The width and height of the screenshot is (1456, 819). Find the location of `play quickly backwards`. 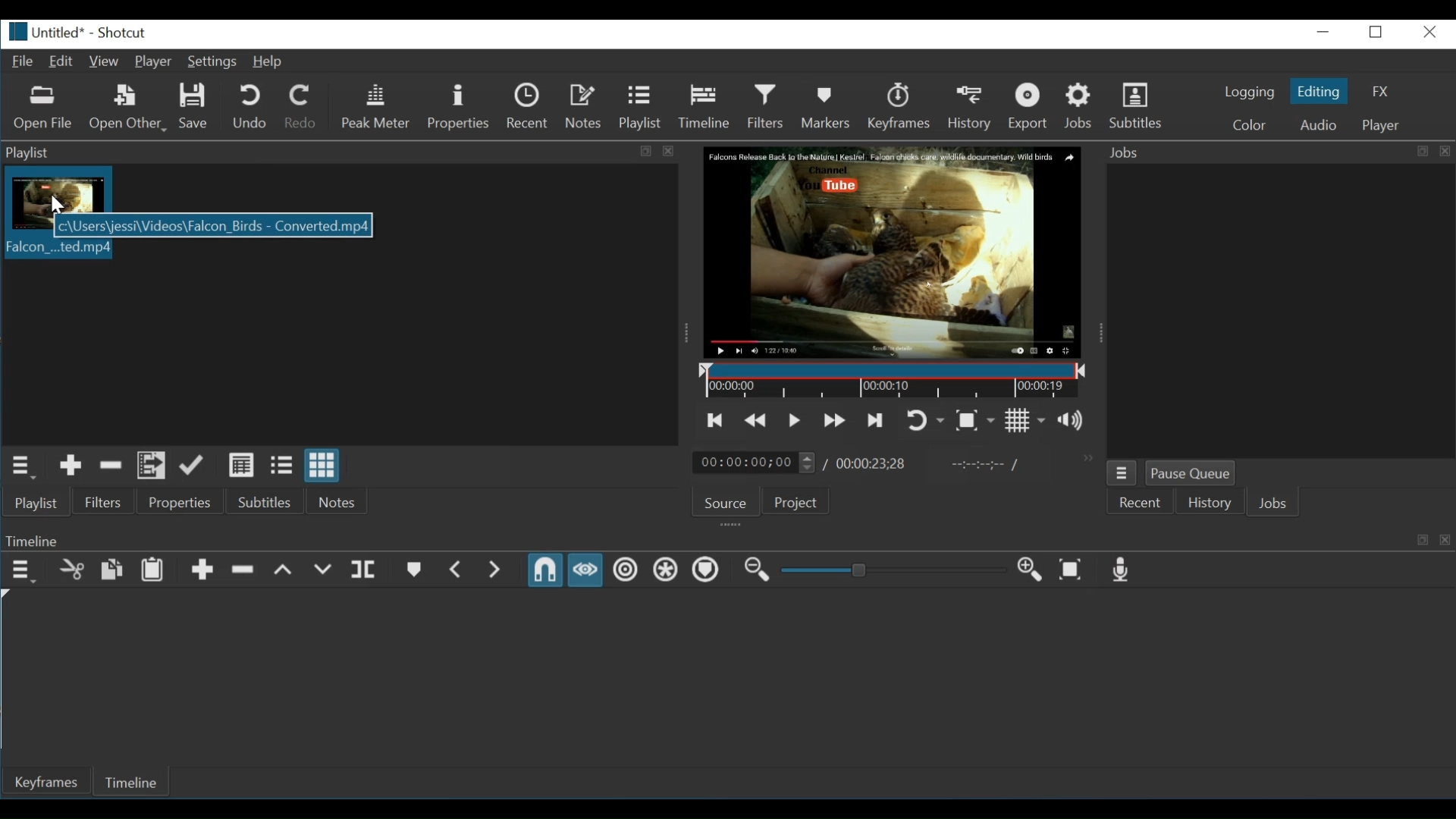

play quickly backwards is located at coordinates (753, 422).